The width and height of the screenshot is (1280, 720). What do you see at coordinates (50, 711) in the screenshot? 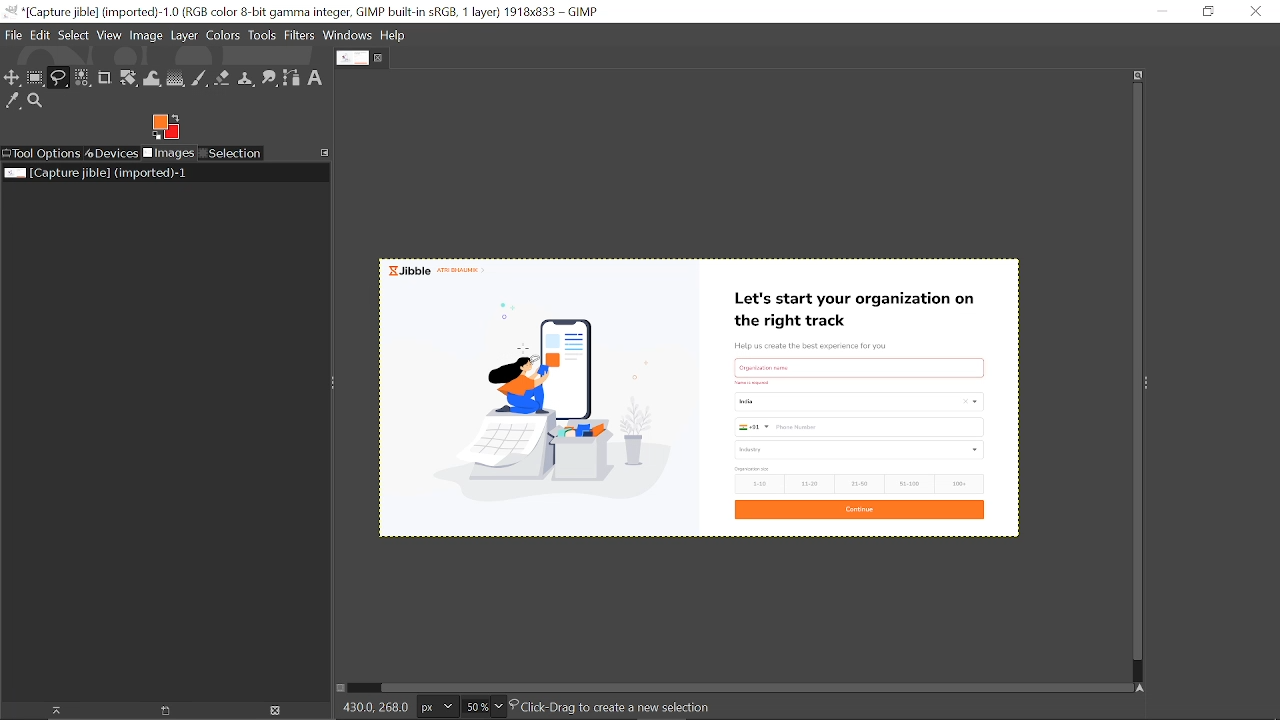
I see `Raise dispaly` at bounding box center [50, 711].